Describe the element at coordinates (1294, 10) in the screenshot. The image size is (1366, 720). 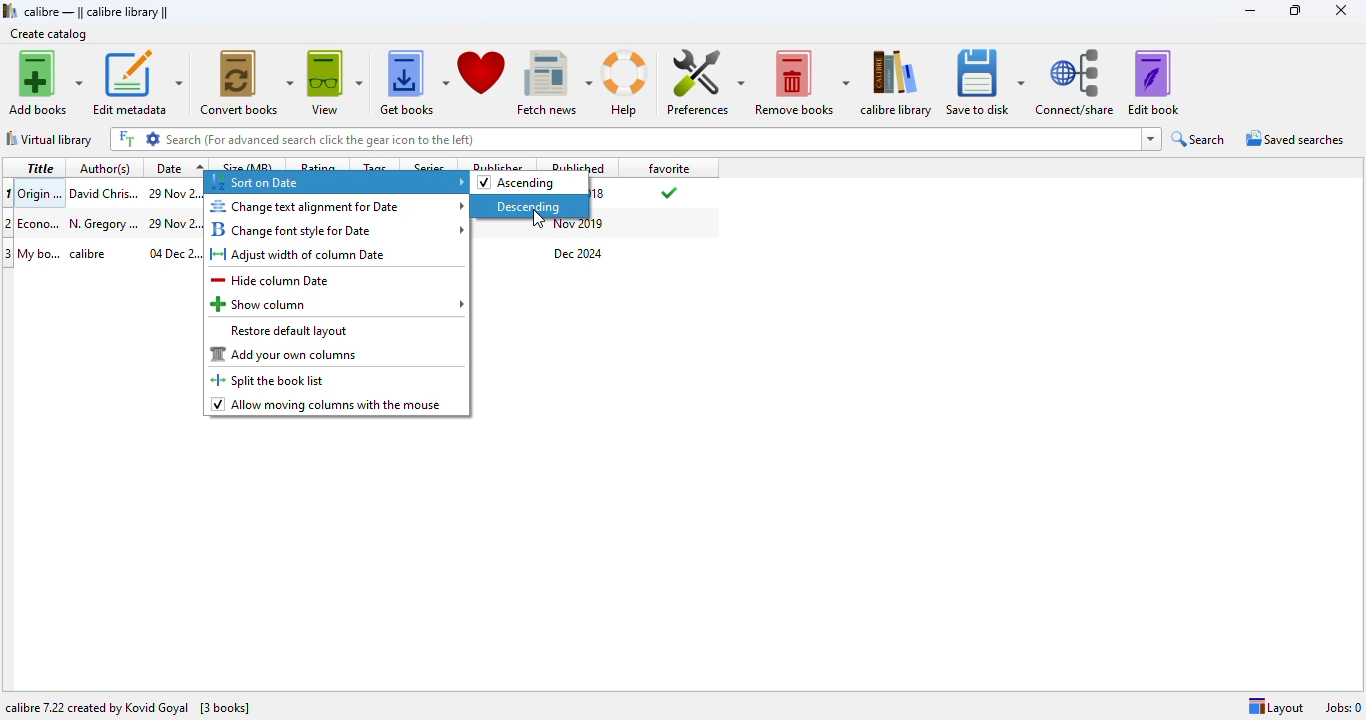
I see `maximize` at that location.